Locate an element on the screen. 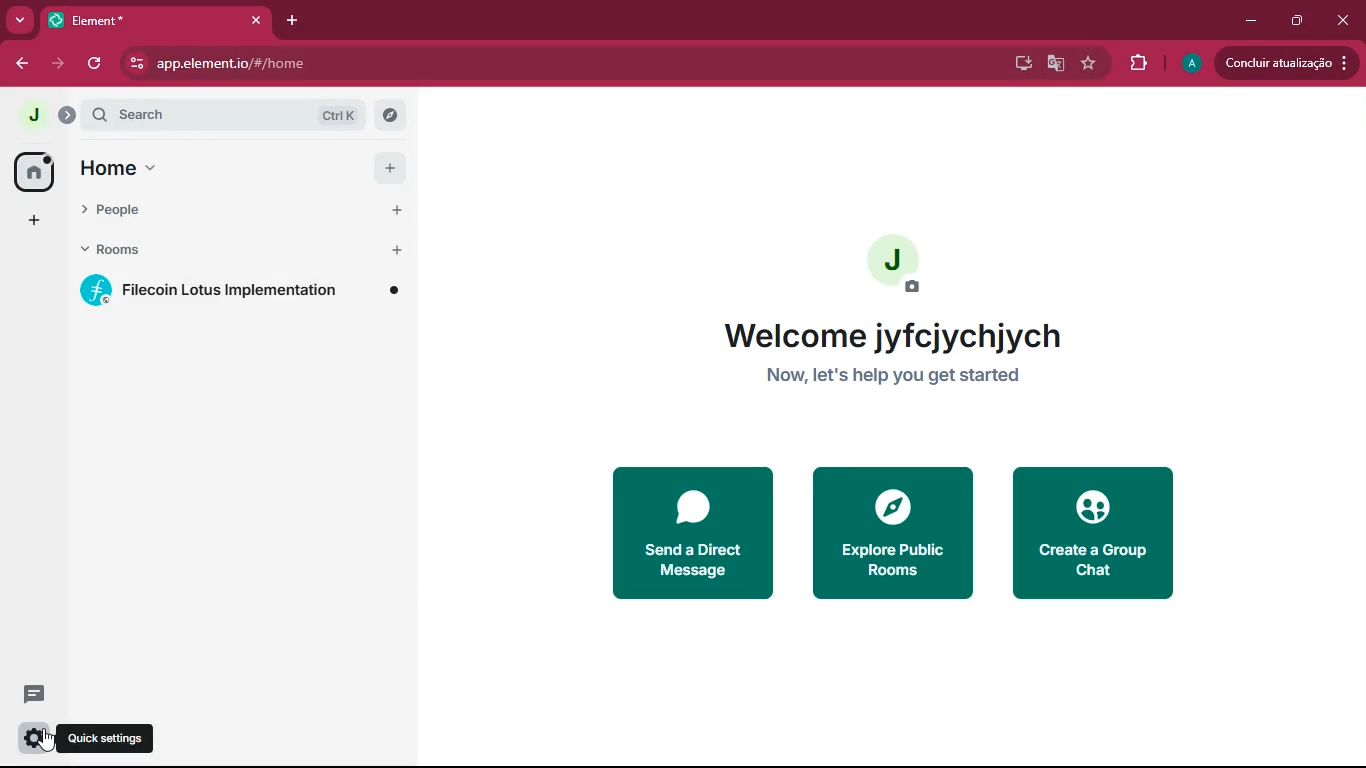 The image size is (1366, 768). Now, let's help you get started is located at coordinates (892, 379).